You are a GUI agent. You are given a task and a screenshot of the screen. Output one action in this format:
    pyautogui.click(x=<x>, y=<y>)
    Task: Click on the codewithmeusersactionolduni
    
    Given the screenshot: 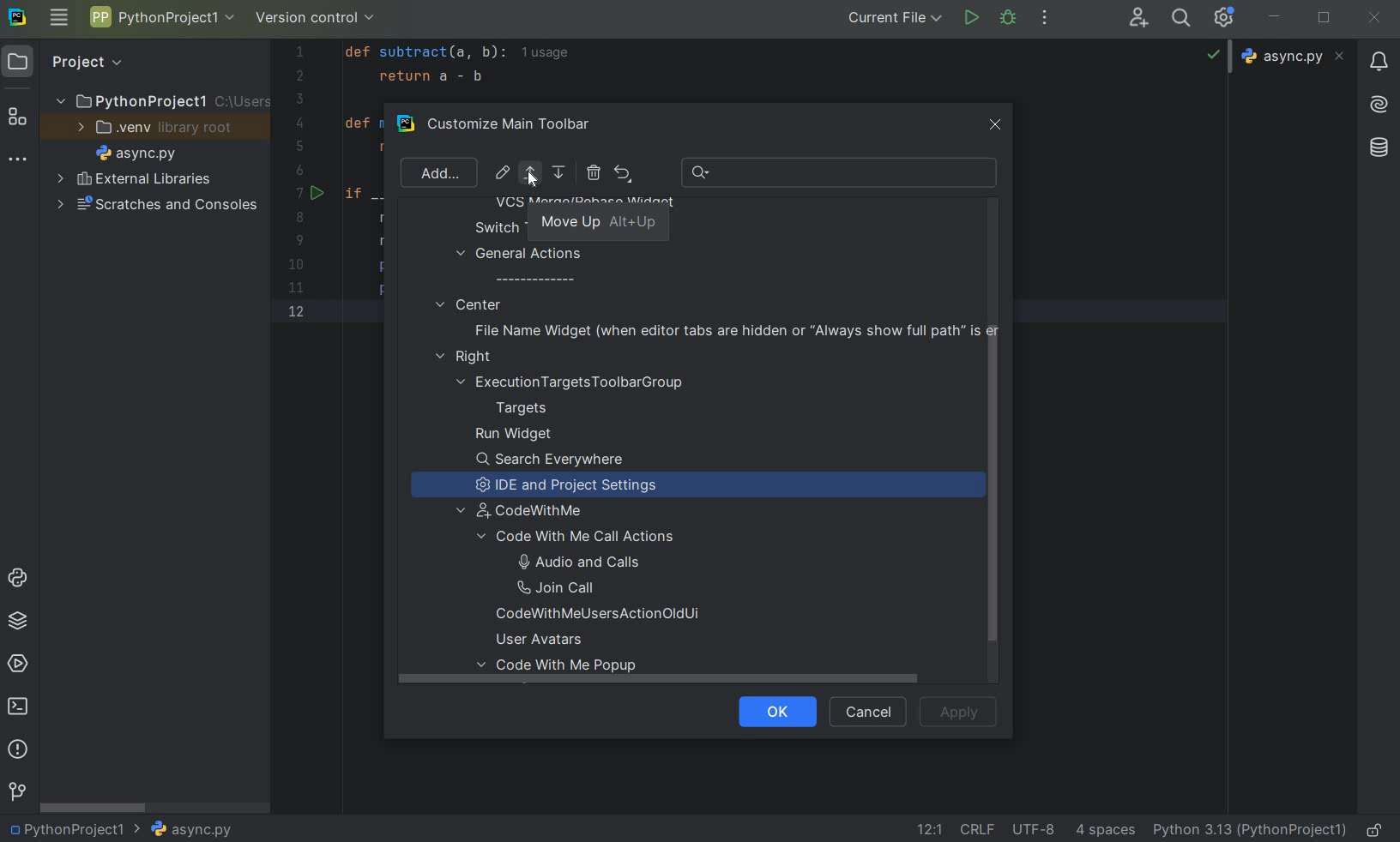 What is the action you would take?
    pyautogui.click(x=598, y=616)
    